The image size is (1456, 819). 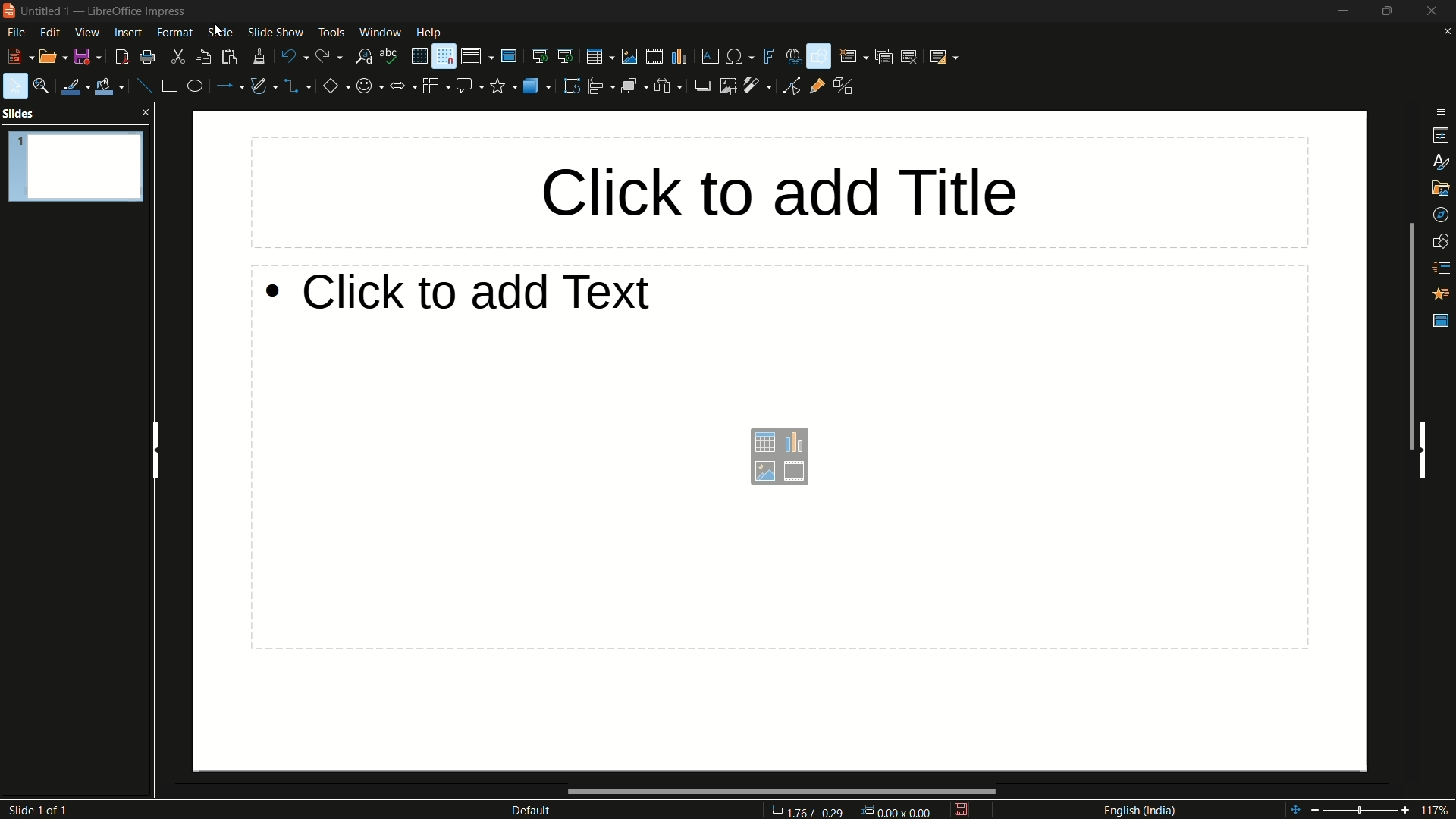 What do you see at coordinates (1439, 187) in the screenshot?
I see `gallery` at bounding box center [1439, 187].